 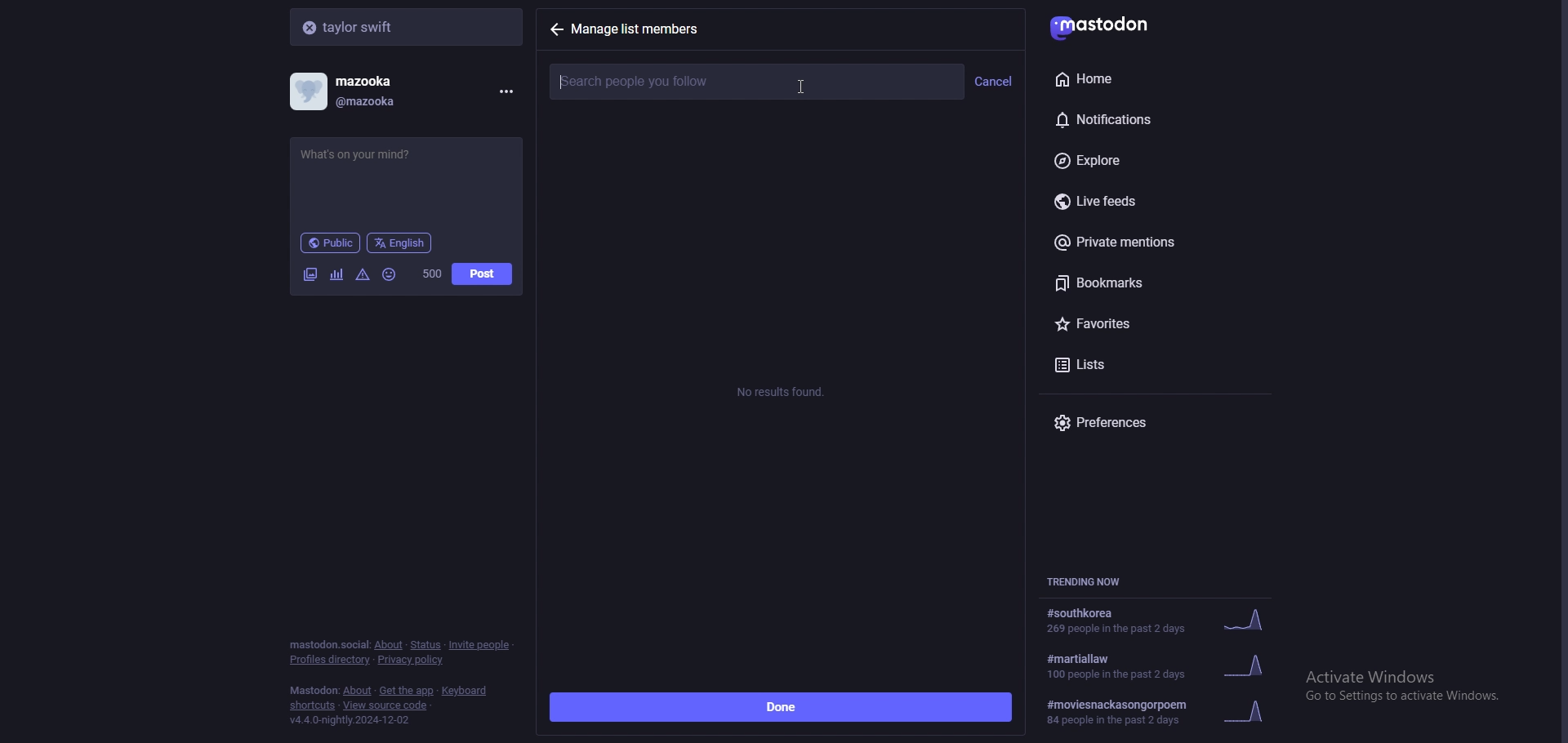 What do you see at coordinates (1160, 422) in the screenshot?
I see `preferences` at bounding box center [1160, 422].